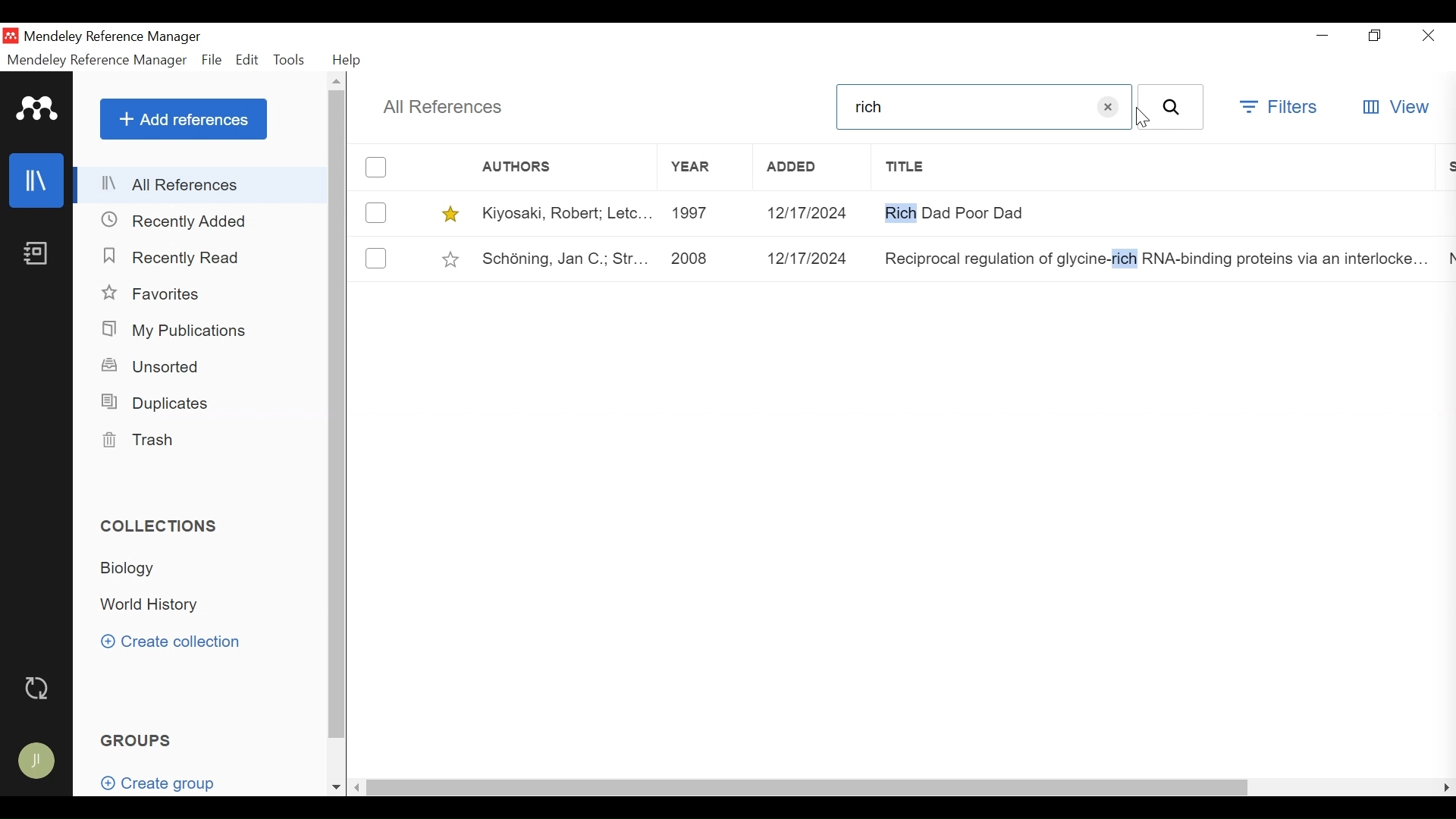 The height and width of the screenshot is (819, 1456). I want to click on clear search, so click(1108, 108).